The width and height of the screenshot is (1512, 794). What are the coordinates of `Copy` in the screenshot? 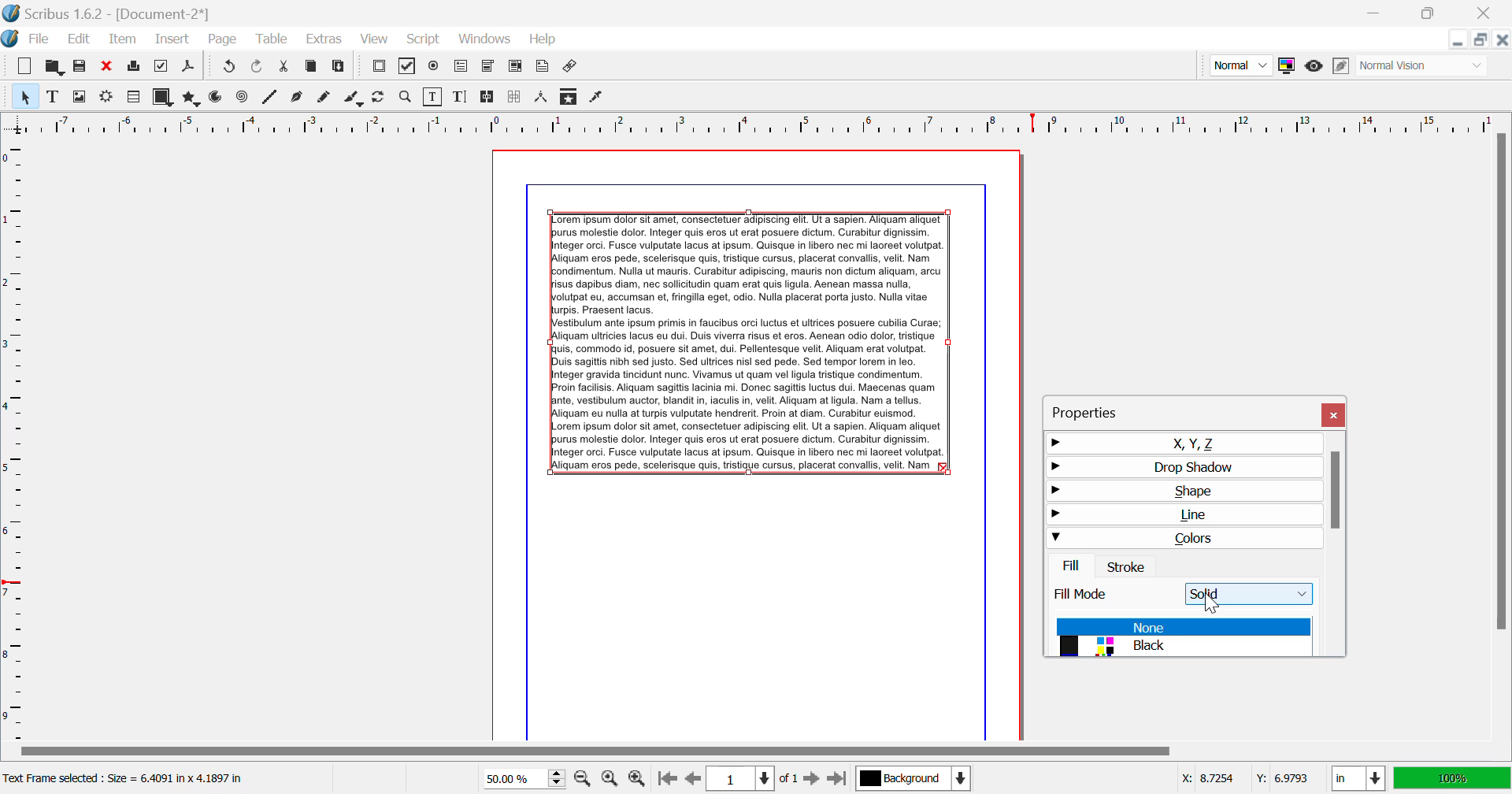 It's located at (312, 69).